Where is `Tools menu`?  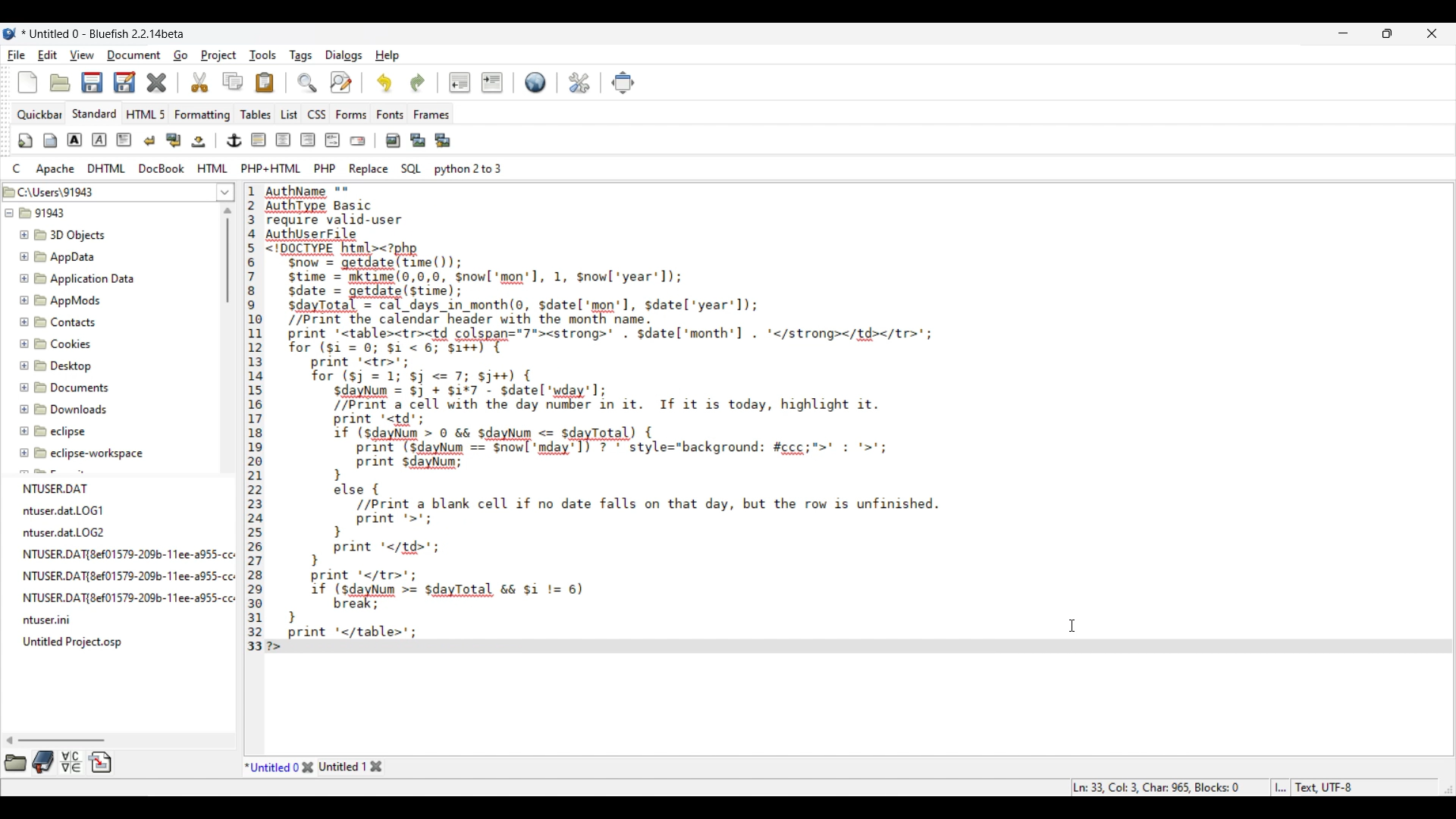 Tools menu is located at coordinates (263, 55).